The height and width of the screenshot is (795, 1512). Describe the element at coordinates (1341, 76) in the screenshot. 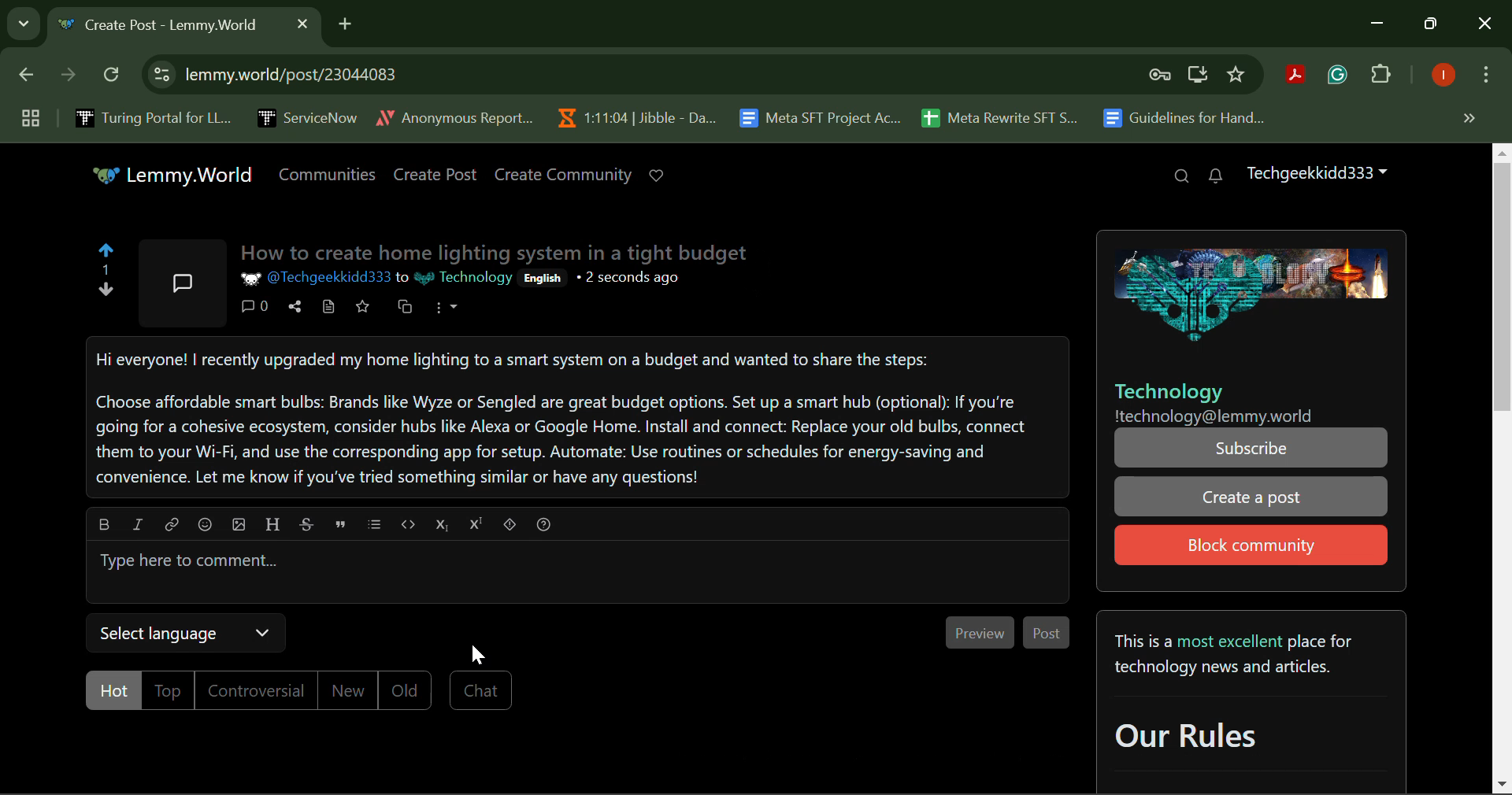

I see `Browser Extension` at that location.